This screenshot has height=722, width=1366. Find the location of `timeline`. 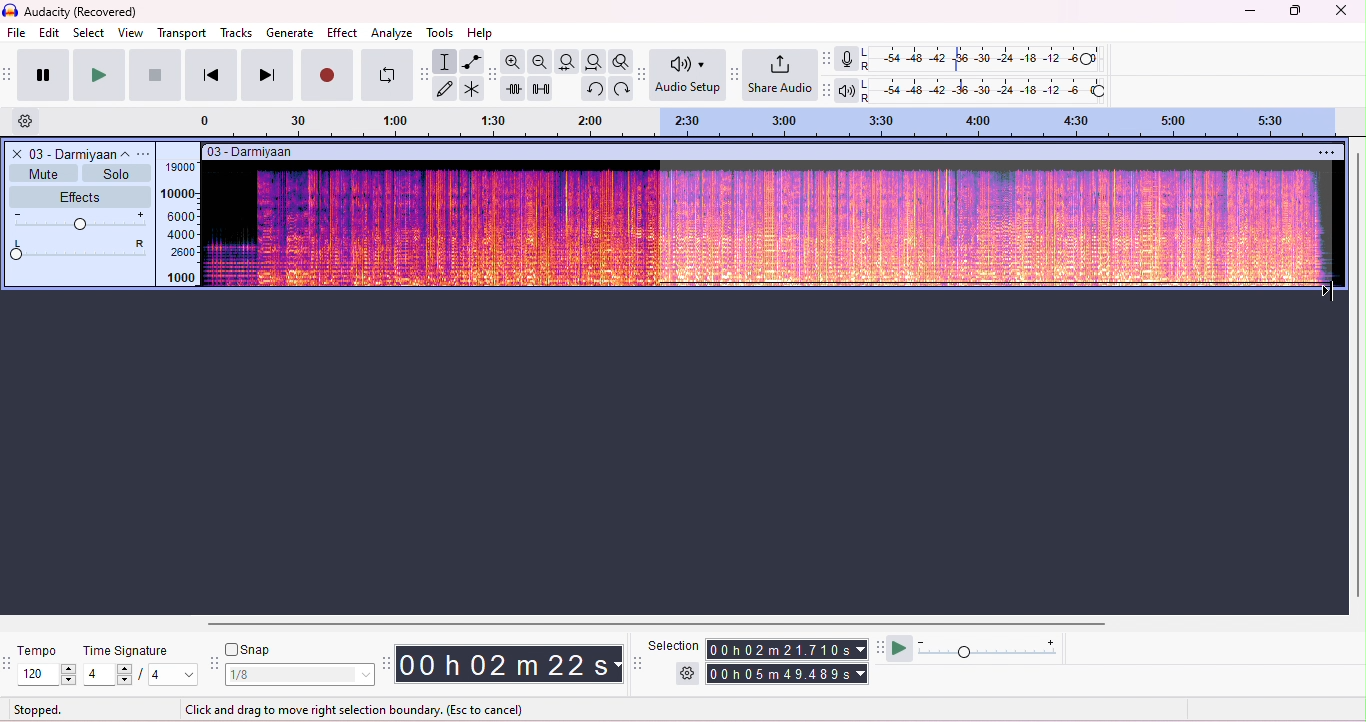

timeline is located at coordinates (779, 122).